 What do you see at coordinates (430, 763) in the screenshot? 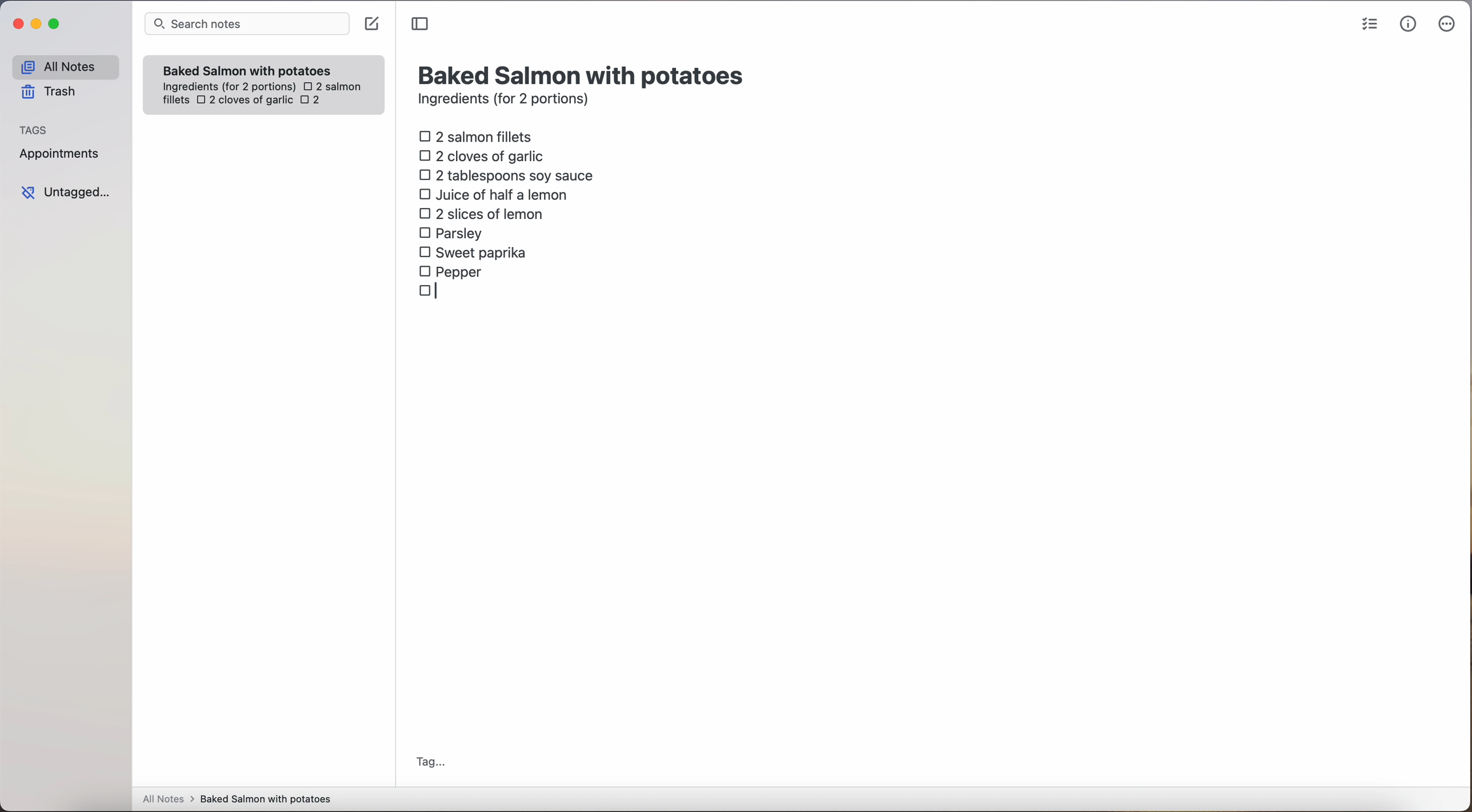
I see `tag` at bounding box center [430, 763].